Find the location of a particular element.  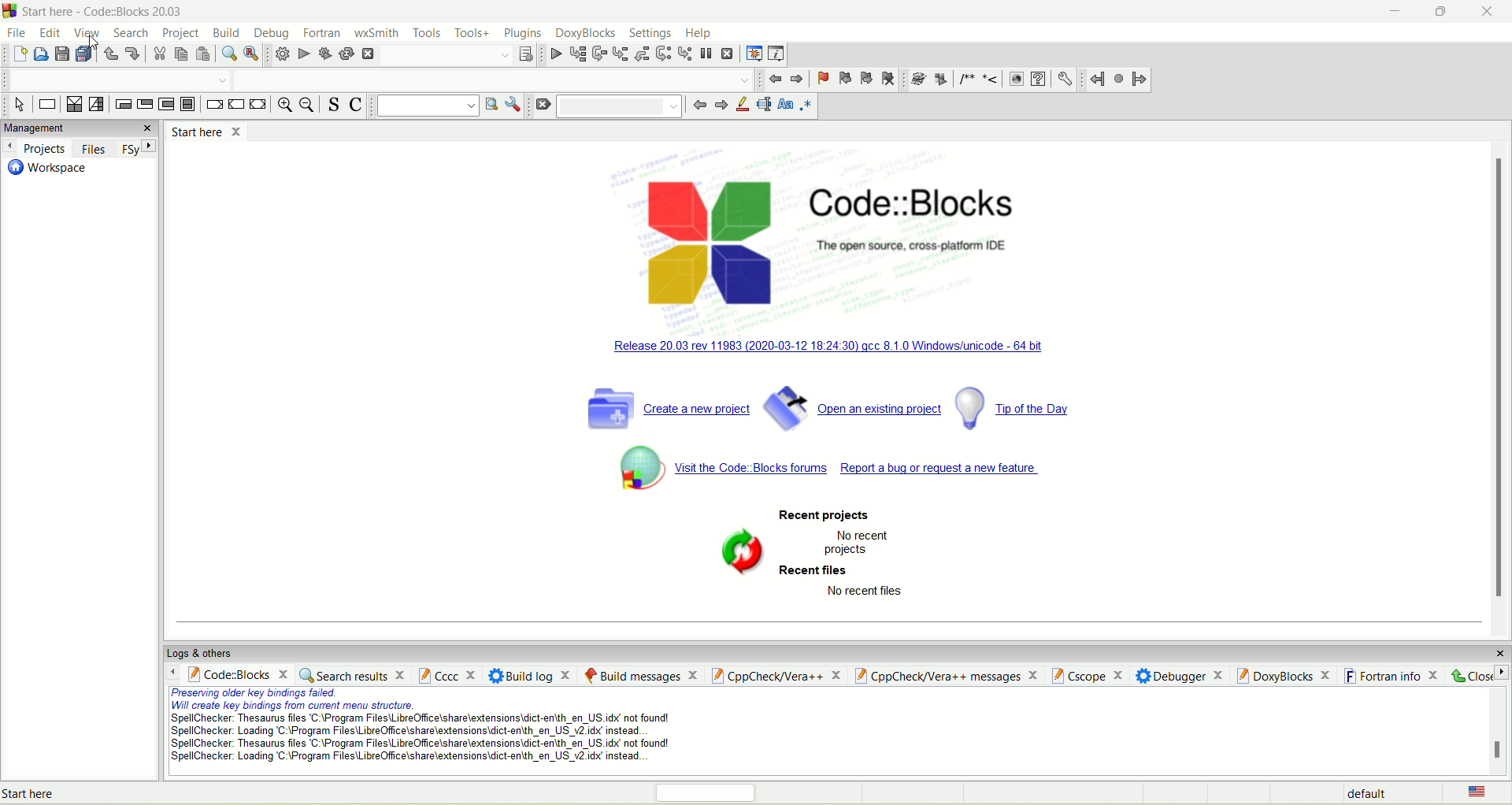

break instruction is located at coordinates (213, 105).